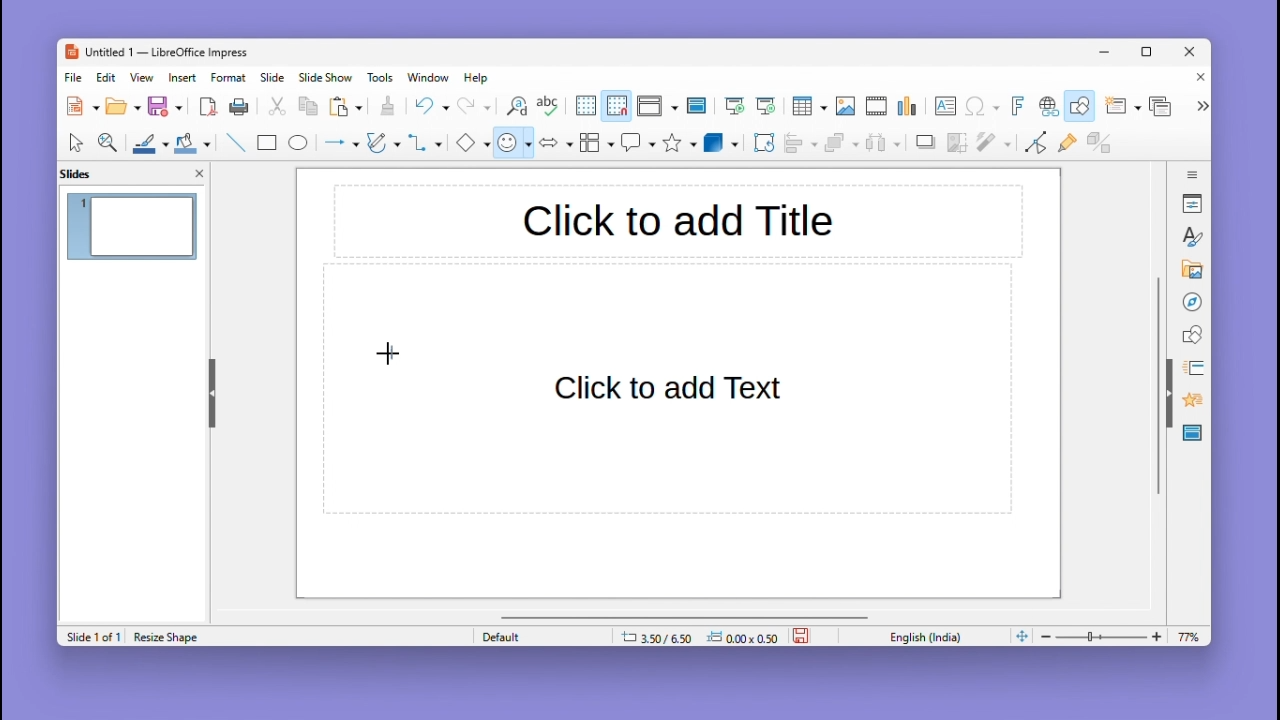 This screenshot has width=1280, height=720. I want to click on Align, so click(800, 143).